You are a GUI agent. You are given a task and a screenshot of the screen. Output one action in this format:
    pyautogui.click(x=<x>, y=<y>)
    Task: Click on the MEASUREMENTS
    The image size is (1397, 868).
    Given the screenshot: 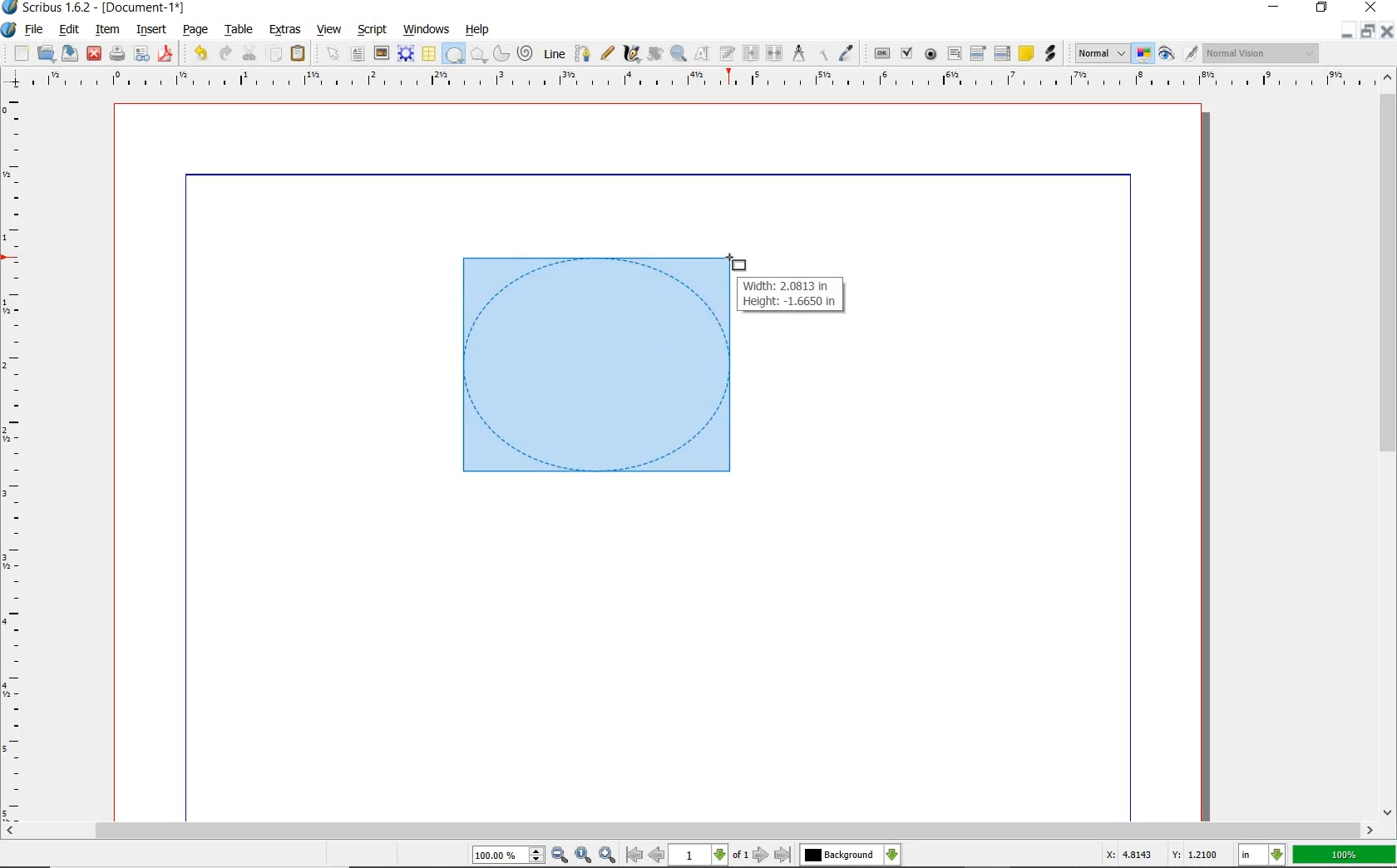 What is the action you would take?
    pyautogui.click(x=798, y=54)
    